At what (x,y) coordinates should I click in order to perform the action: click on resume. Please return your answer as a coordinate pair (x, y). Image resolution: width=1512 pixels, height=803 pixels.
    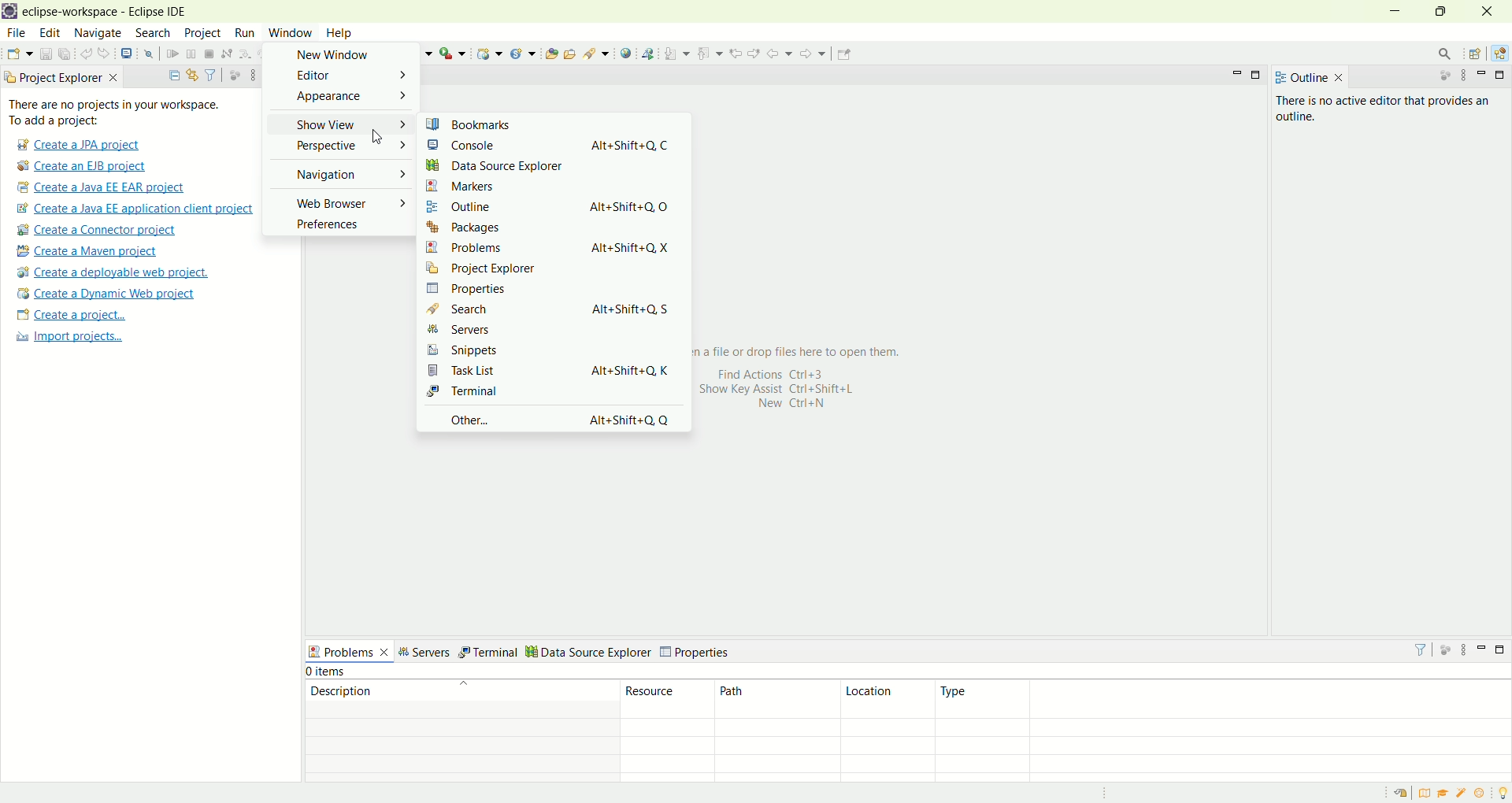
    Looking at the image, I should click on (172, 53).